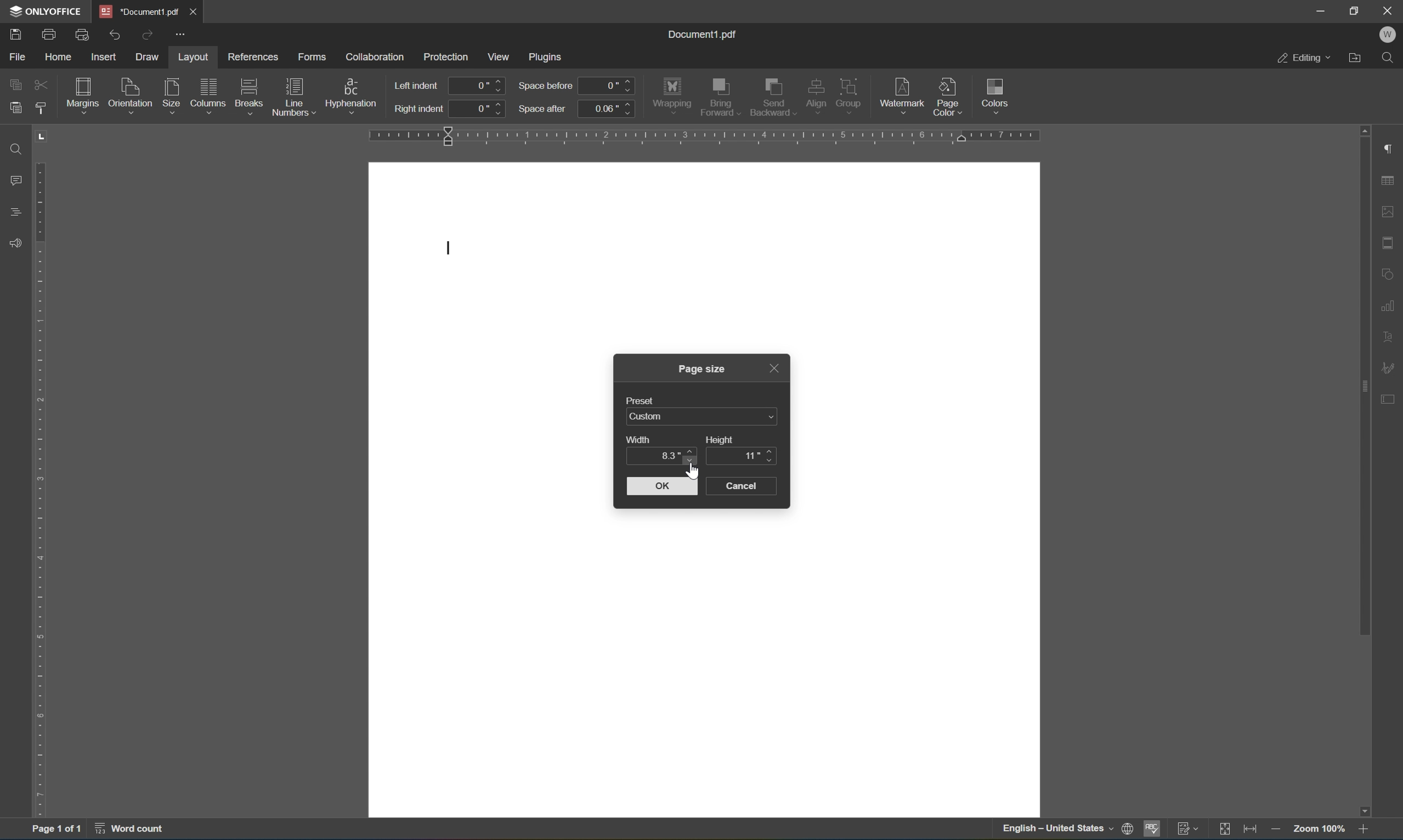 This screenshot has width=1403, height=840. I want to click on line numbers, so click(294, 97).